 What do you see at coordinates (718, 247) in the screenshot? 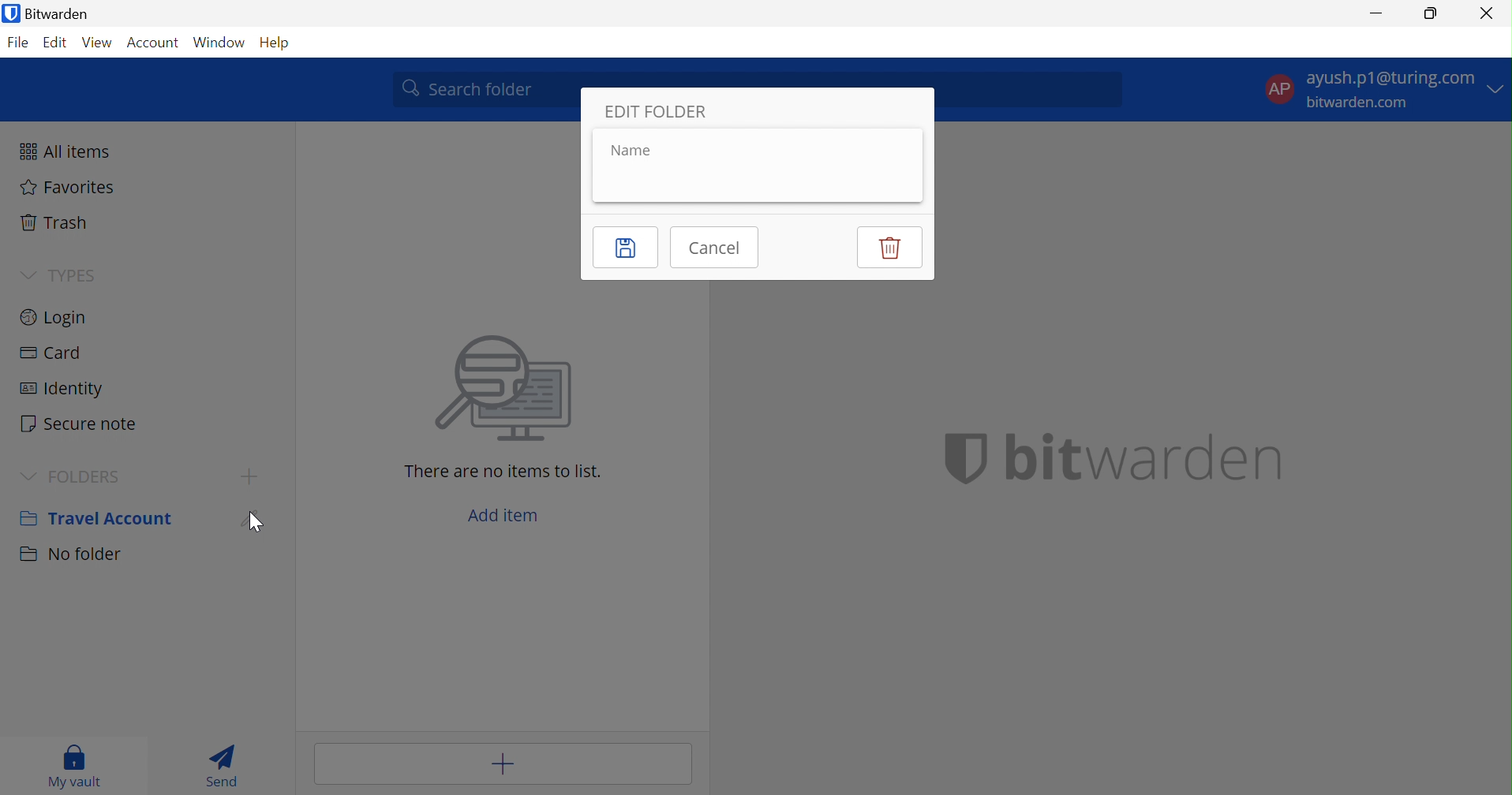
I see `Cancel` at bounding box center [718, 247].